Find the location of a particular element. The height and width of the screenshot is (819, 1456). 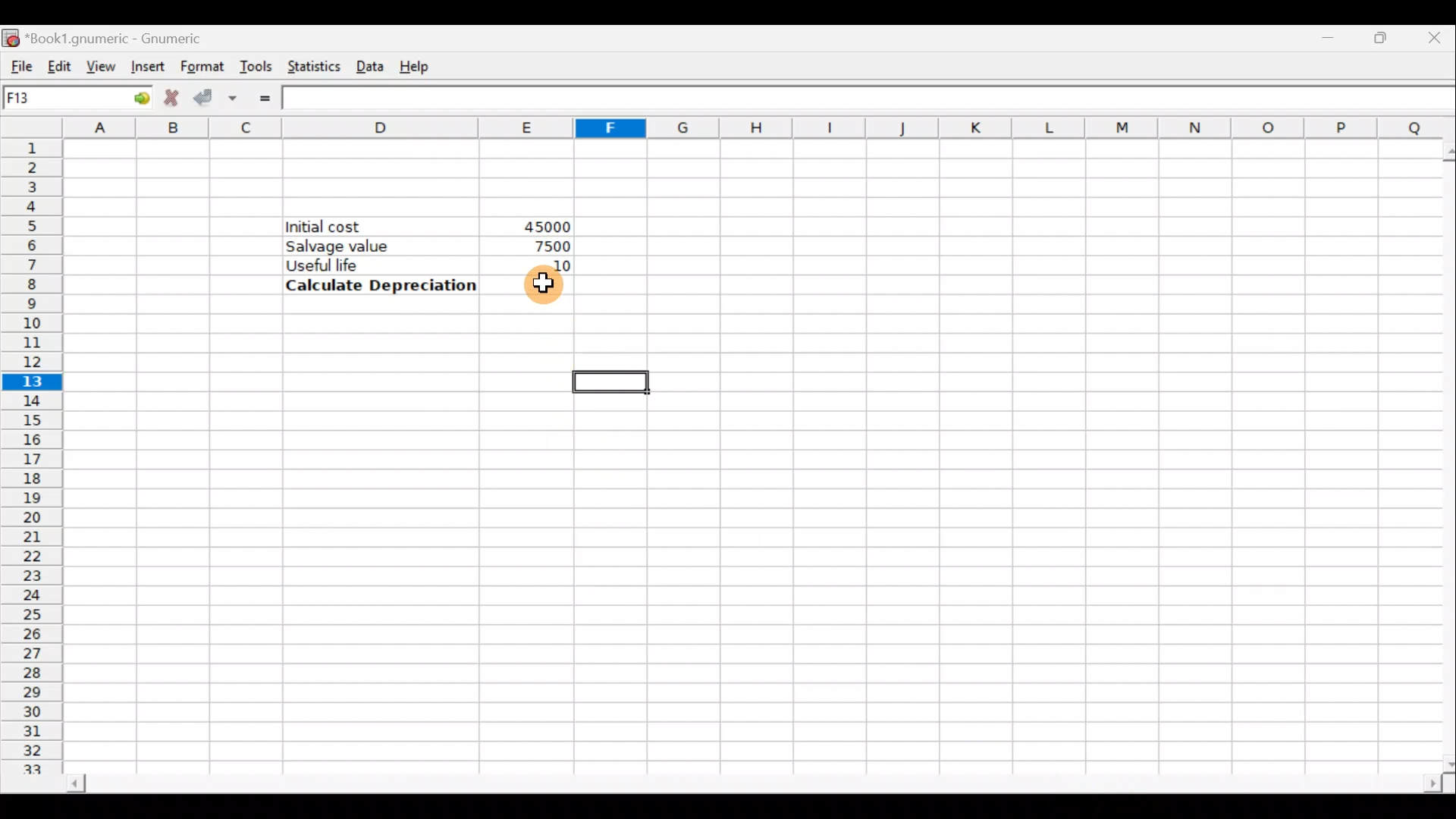

go to is located at coordinates (132, 98).